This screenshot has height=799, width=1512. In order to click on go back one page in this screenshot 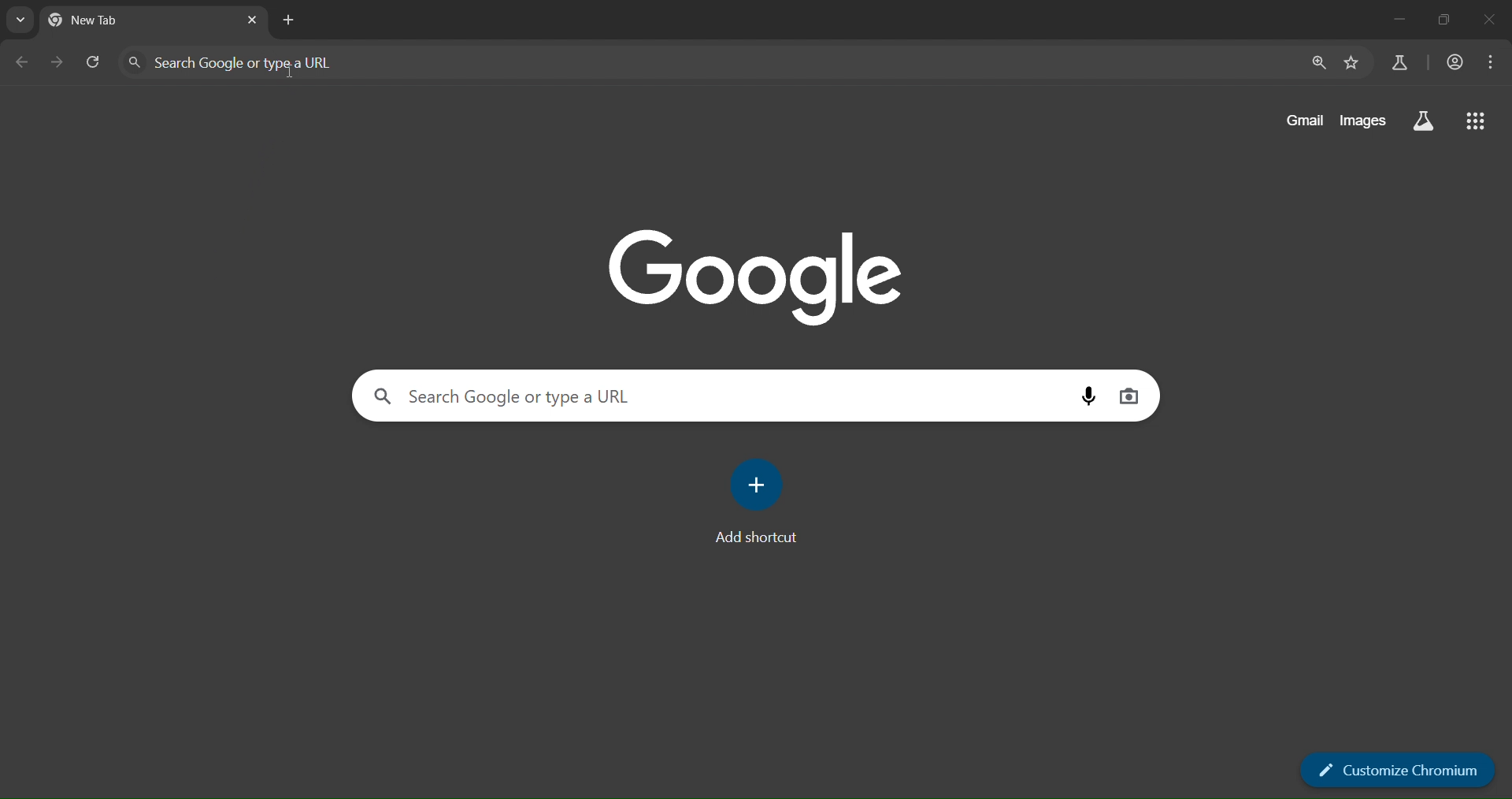, I will do `click(22, 64)`.